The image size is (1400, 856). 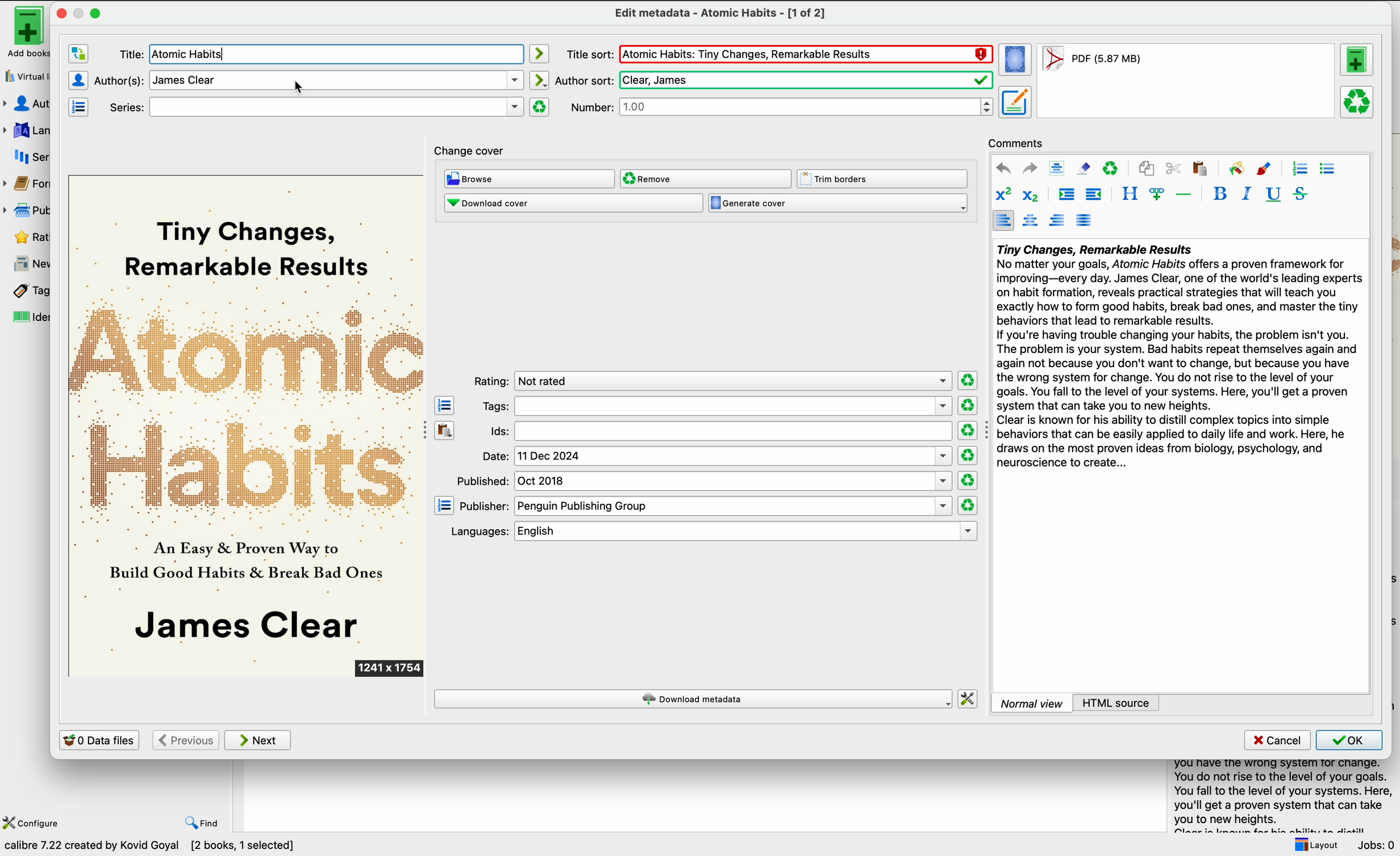 What do you see at coordinates (193, 55) in the screenshot?
I see `title modified` at bounding box center [193, 55].